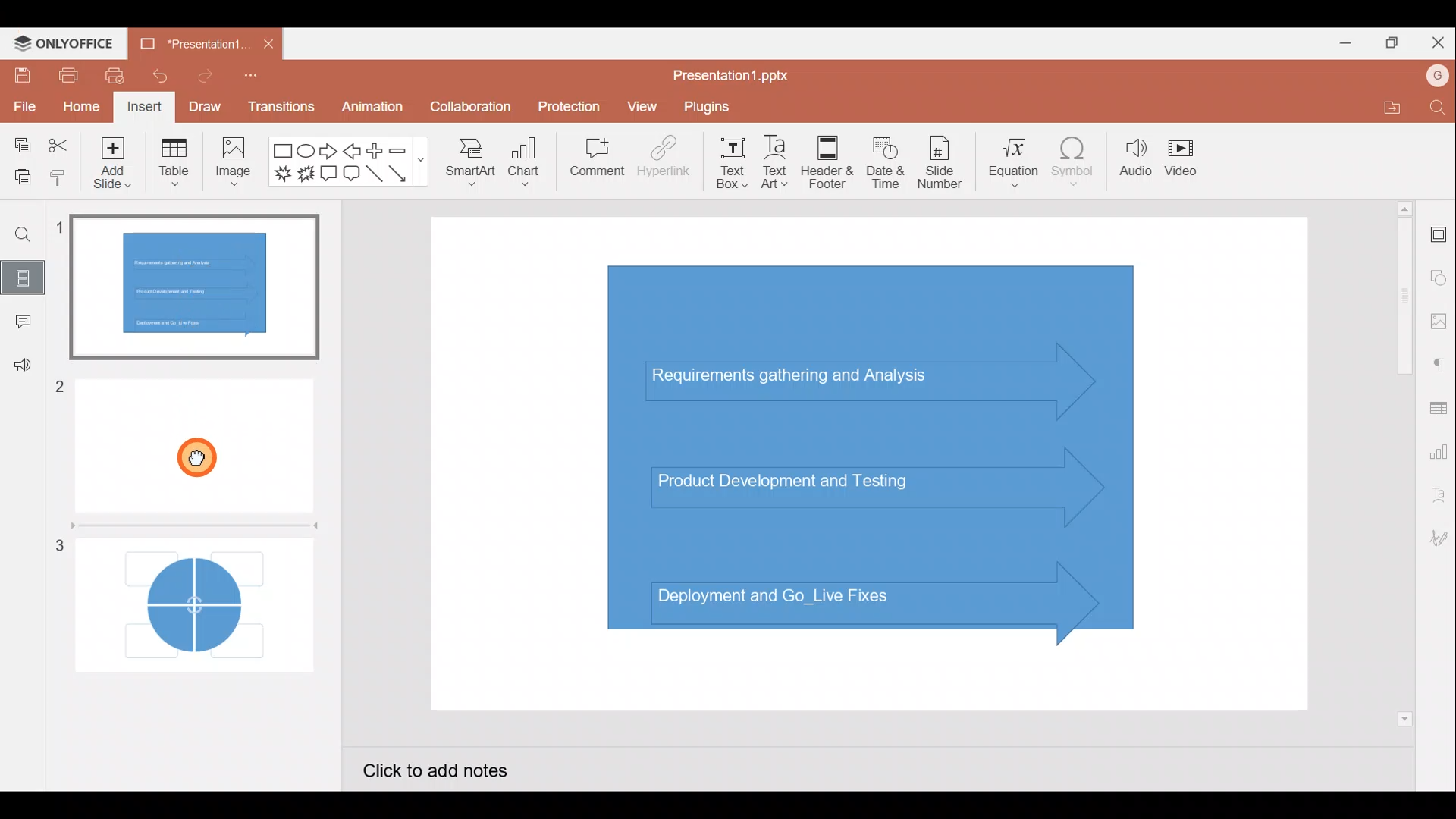  Describe the element at coordinates (831, 162) in the screenshot. I see `Header & footer` at that location.